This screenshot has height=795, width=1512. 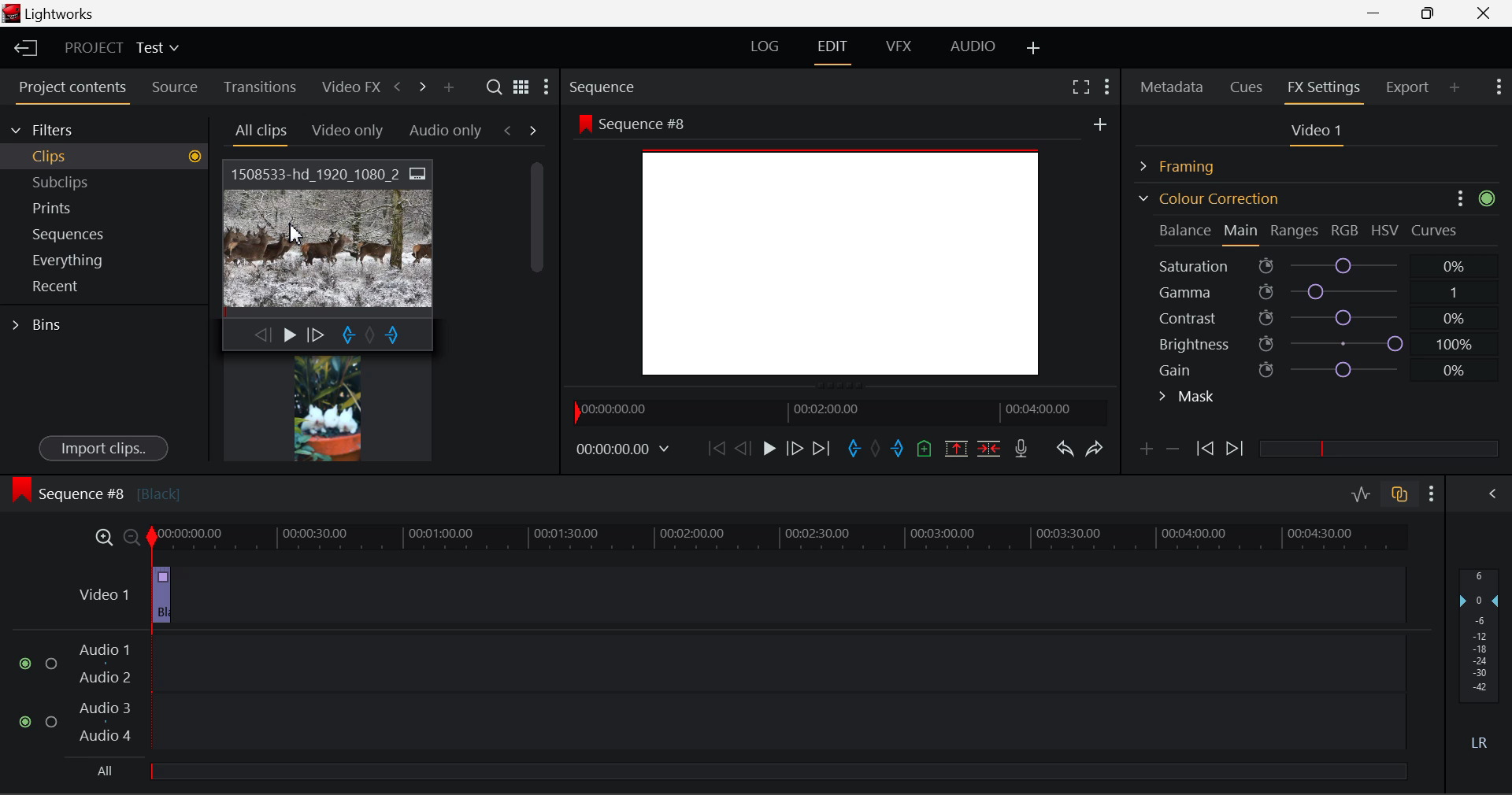 What do you see at coordinates (777, 771) in the screenshot?
I see `slider` at bounding box center [777, 771].